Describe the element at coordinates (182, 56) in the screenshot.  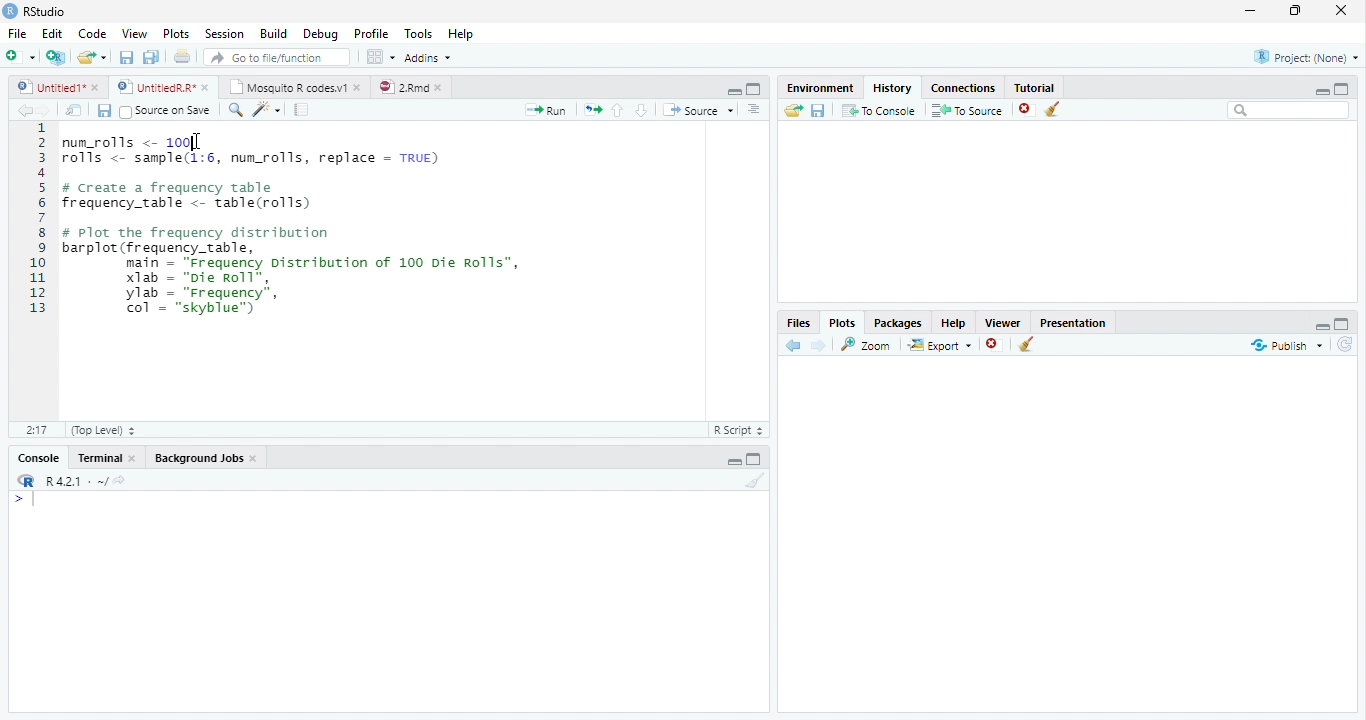
I see `Print` at that location.